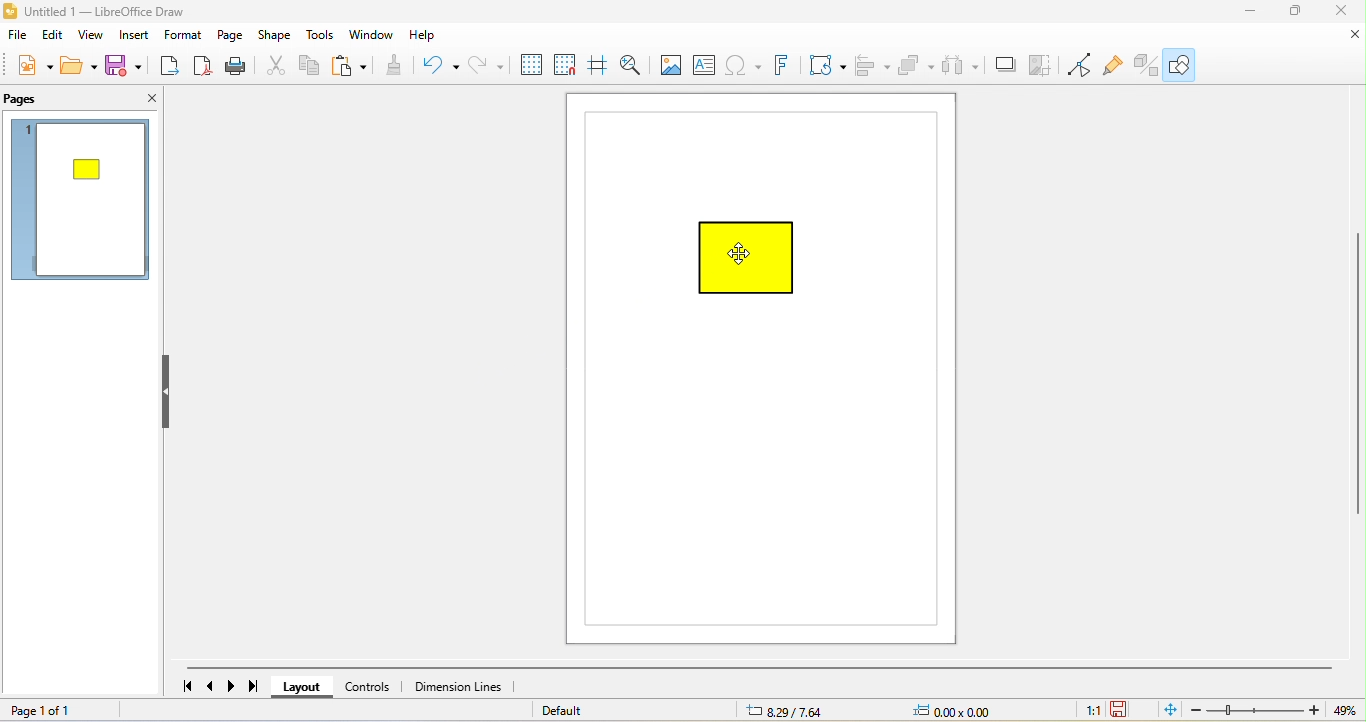  What do you see at coordinates (744, 253) in the screenshot?
I see `cursor` at bounding box center [744, 253].